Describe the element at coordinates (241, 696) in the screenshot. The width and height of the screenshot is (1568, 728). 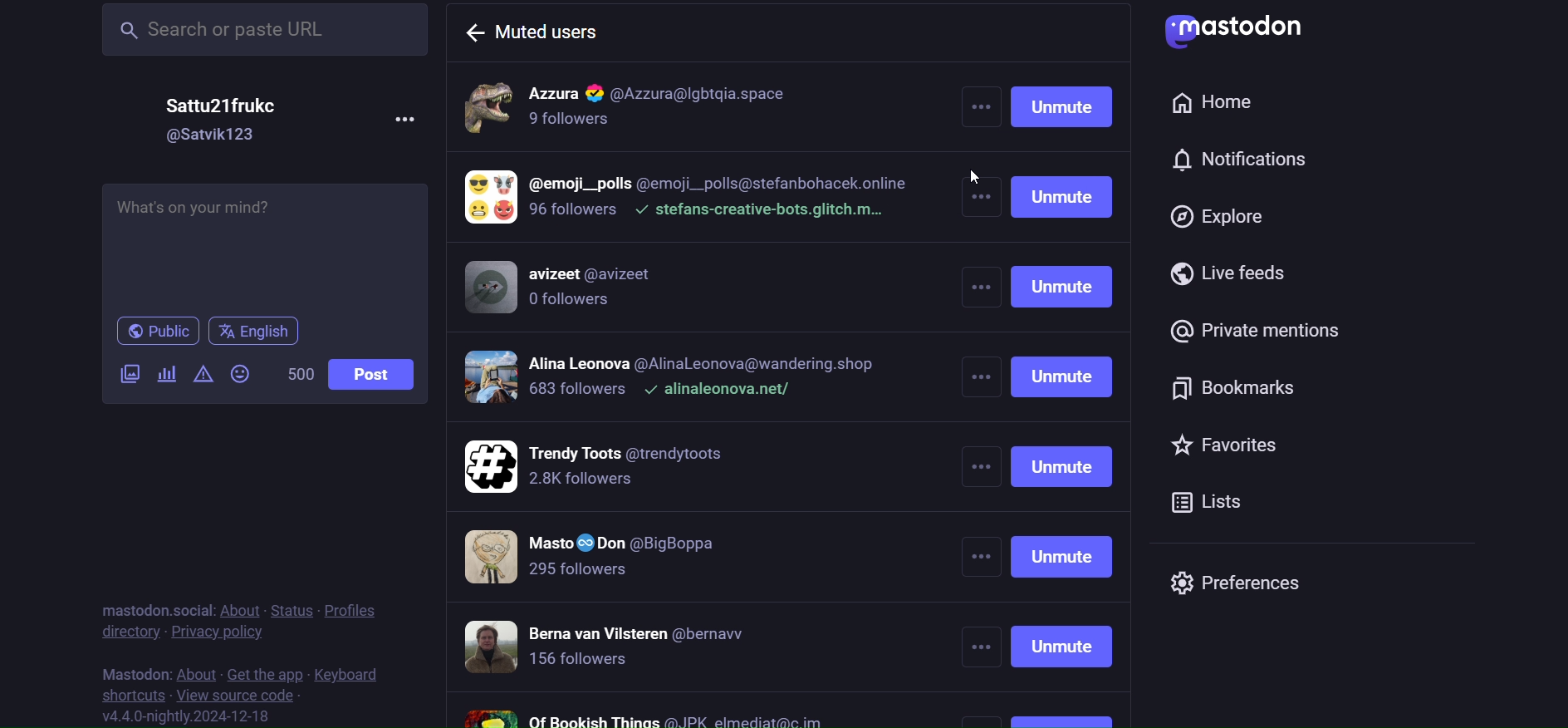
I see `source code` at that location.